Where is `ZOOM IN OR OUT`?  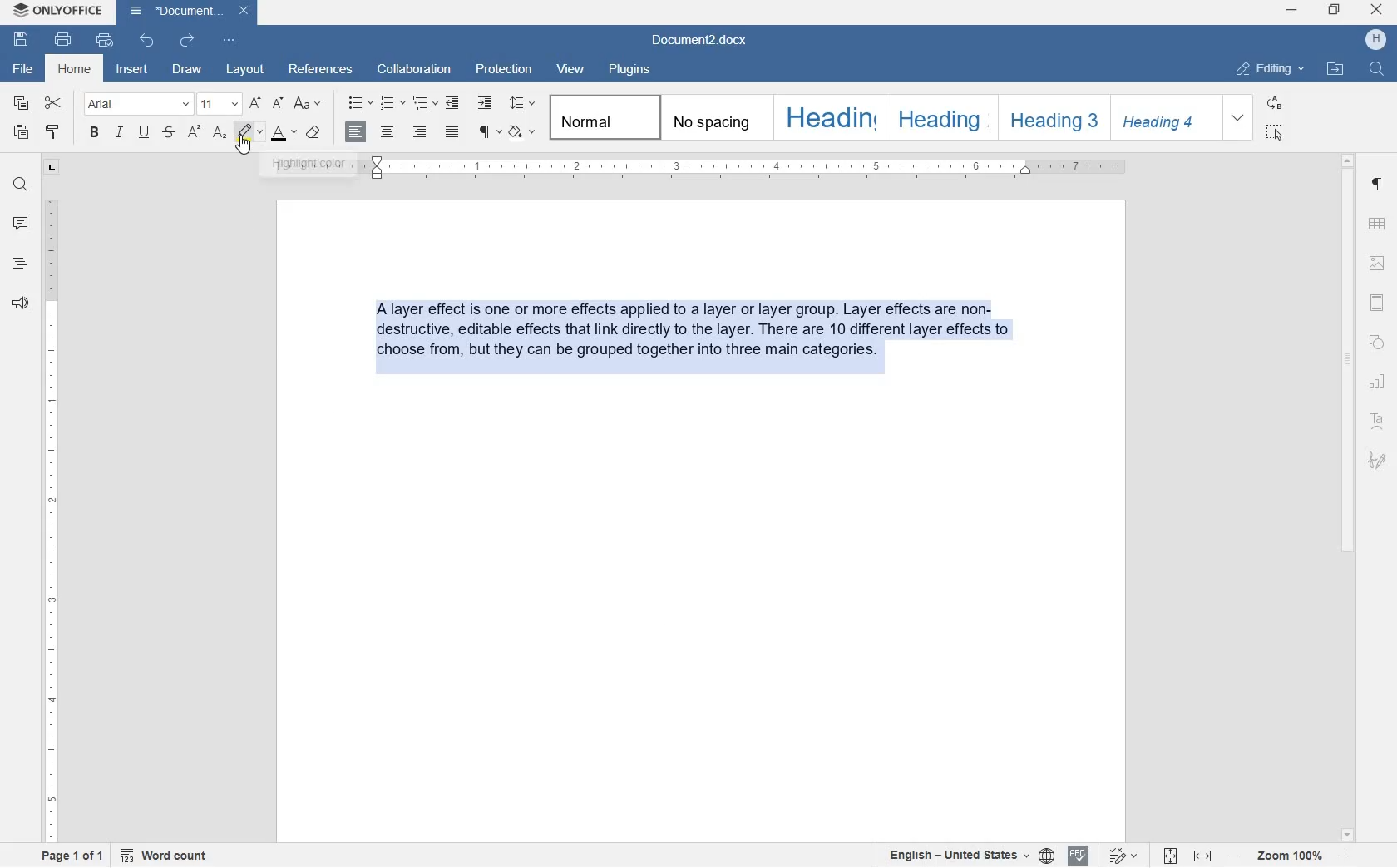
ZOOM IN OR OUT is located at coordinates (1290, 858).